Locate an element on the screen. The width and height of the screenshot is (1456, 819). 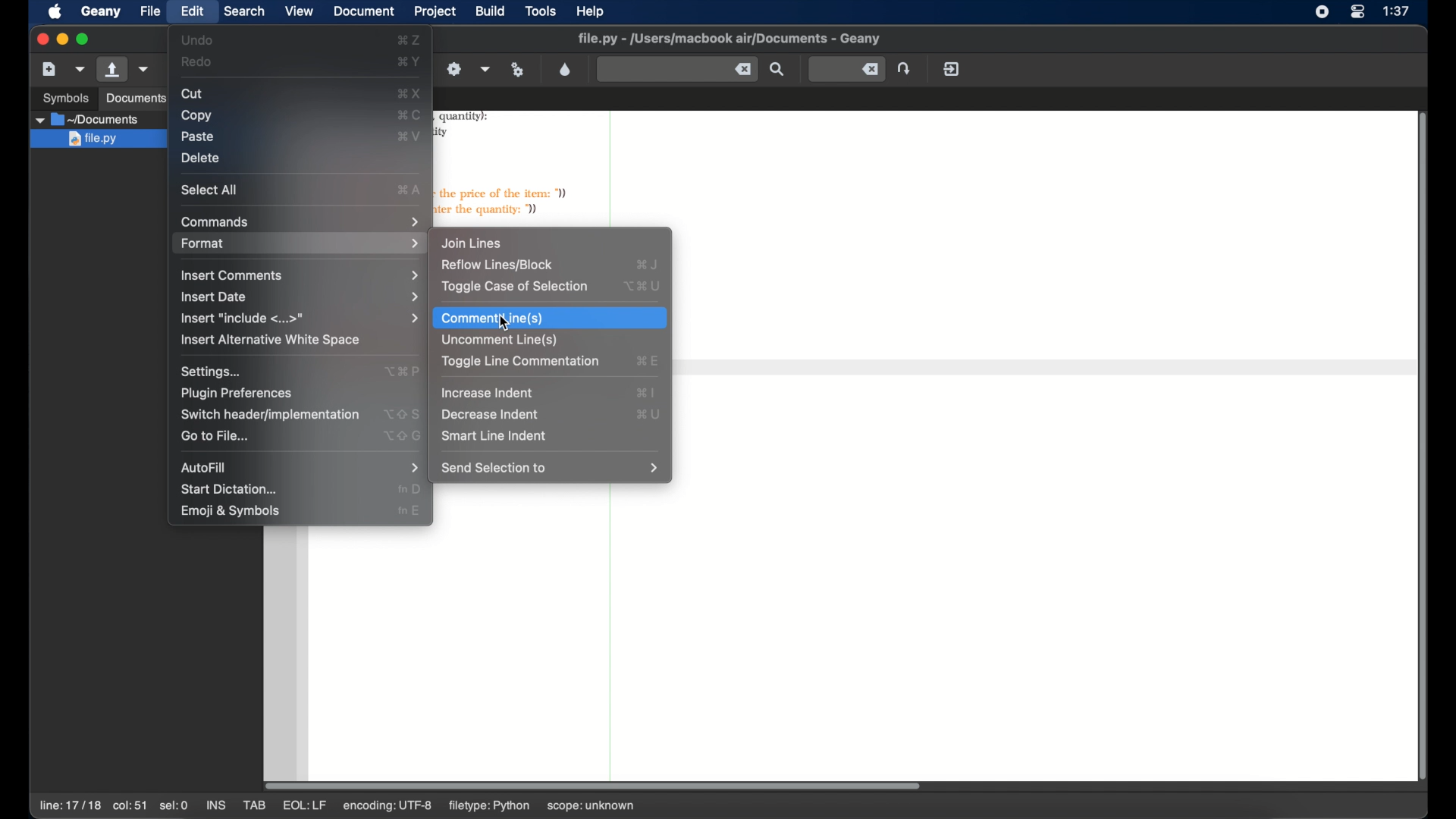
open a recent file is located at coordinates (144, 69).